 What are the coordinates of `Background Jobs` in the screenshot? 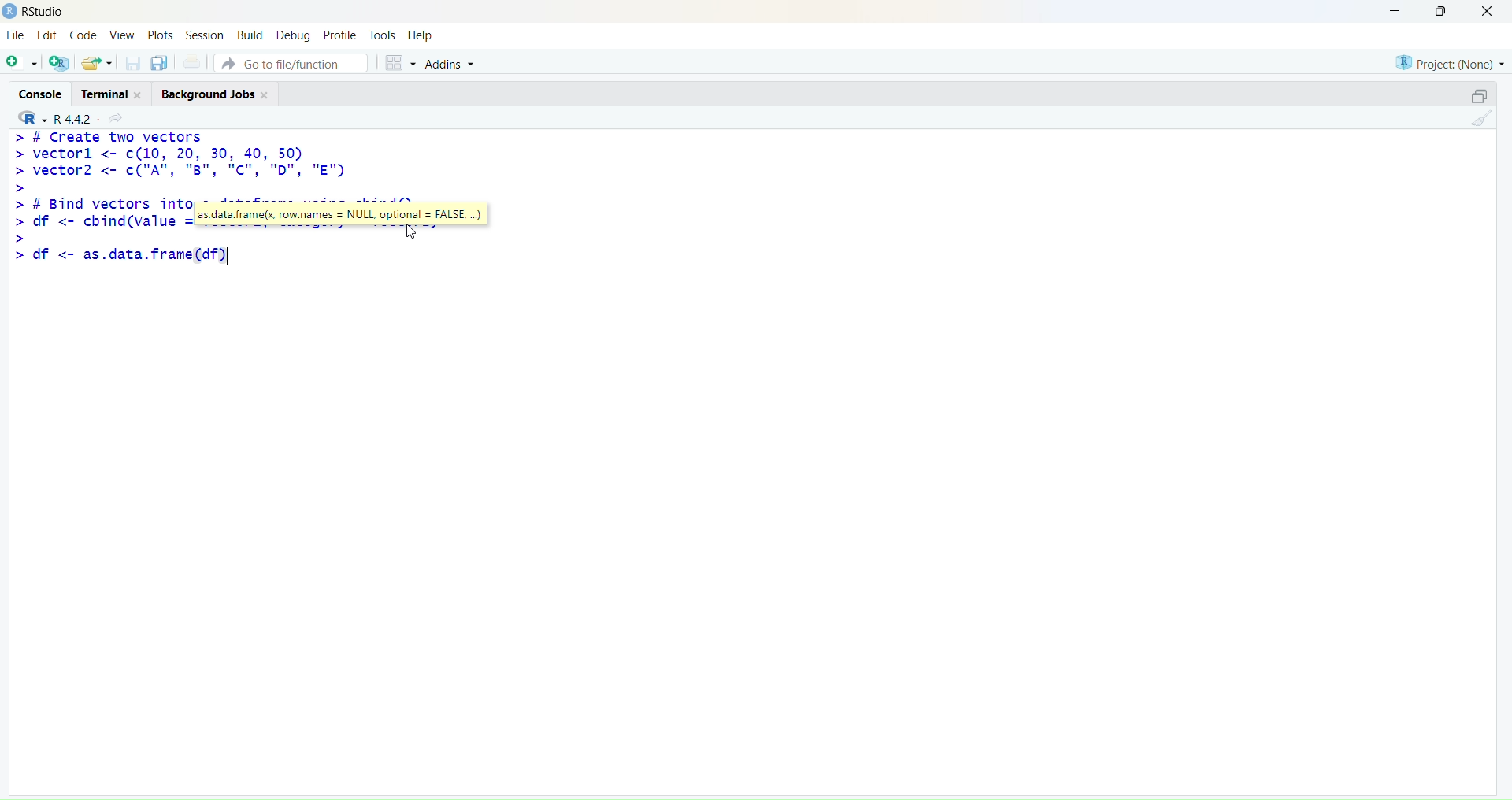 It's located at (214, 94).